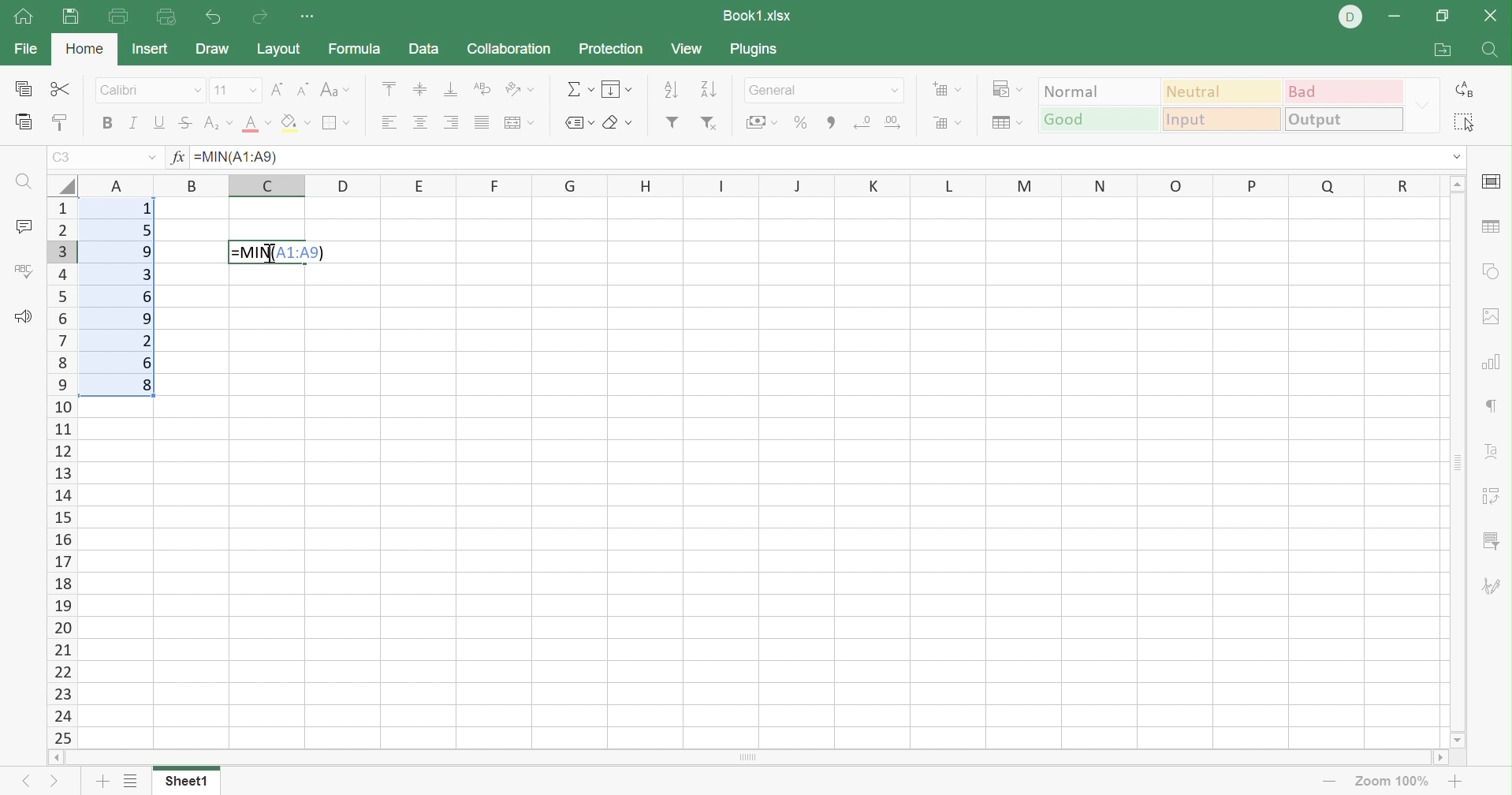 The width and height of the screenshot is (1512, 795). Describe the element at coordinates (1458, 780) in the screenshot. I see `Zoom out` at that location.